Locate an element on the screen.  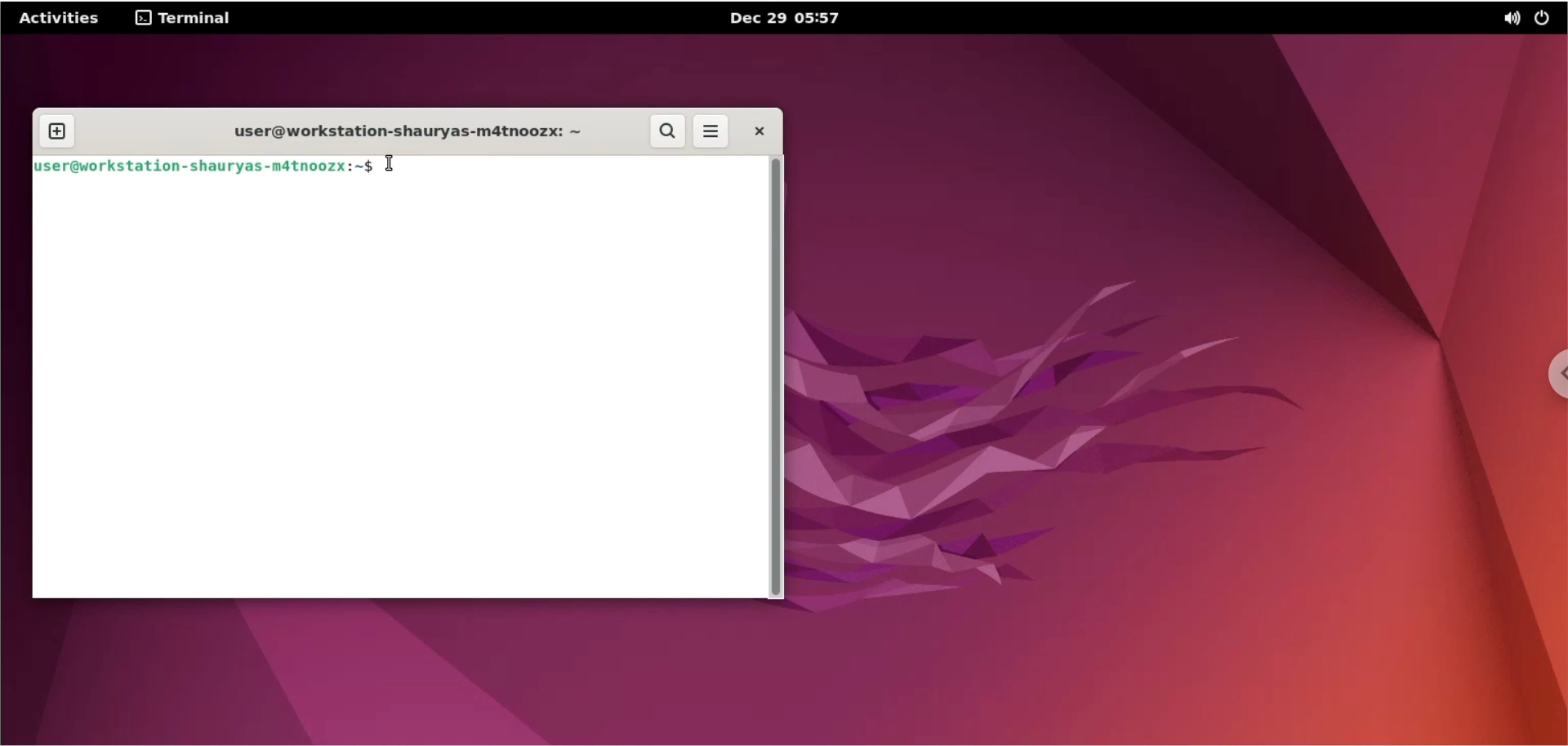
Activities is located at coordinates (61, 18).